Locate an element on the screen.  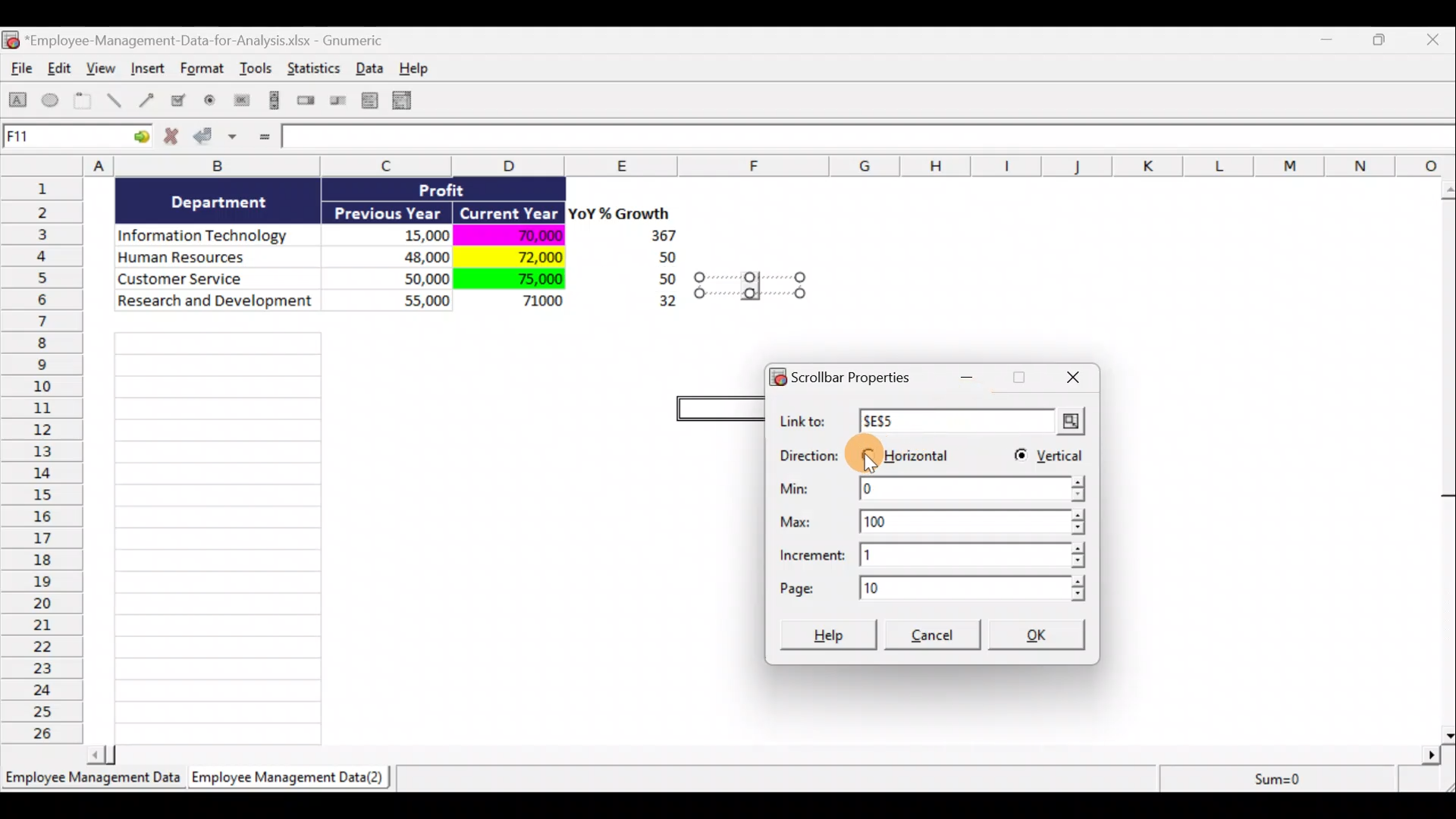
Scroll bar is located at coordinates (769, 752).